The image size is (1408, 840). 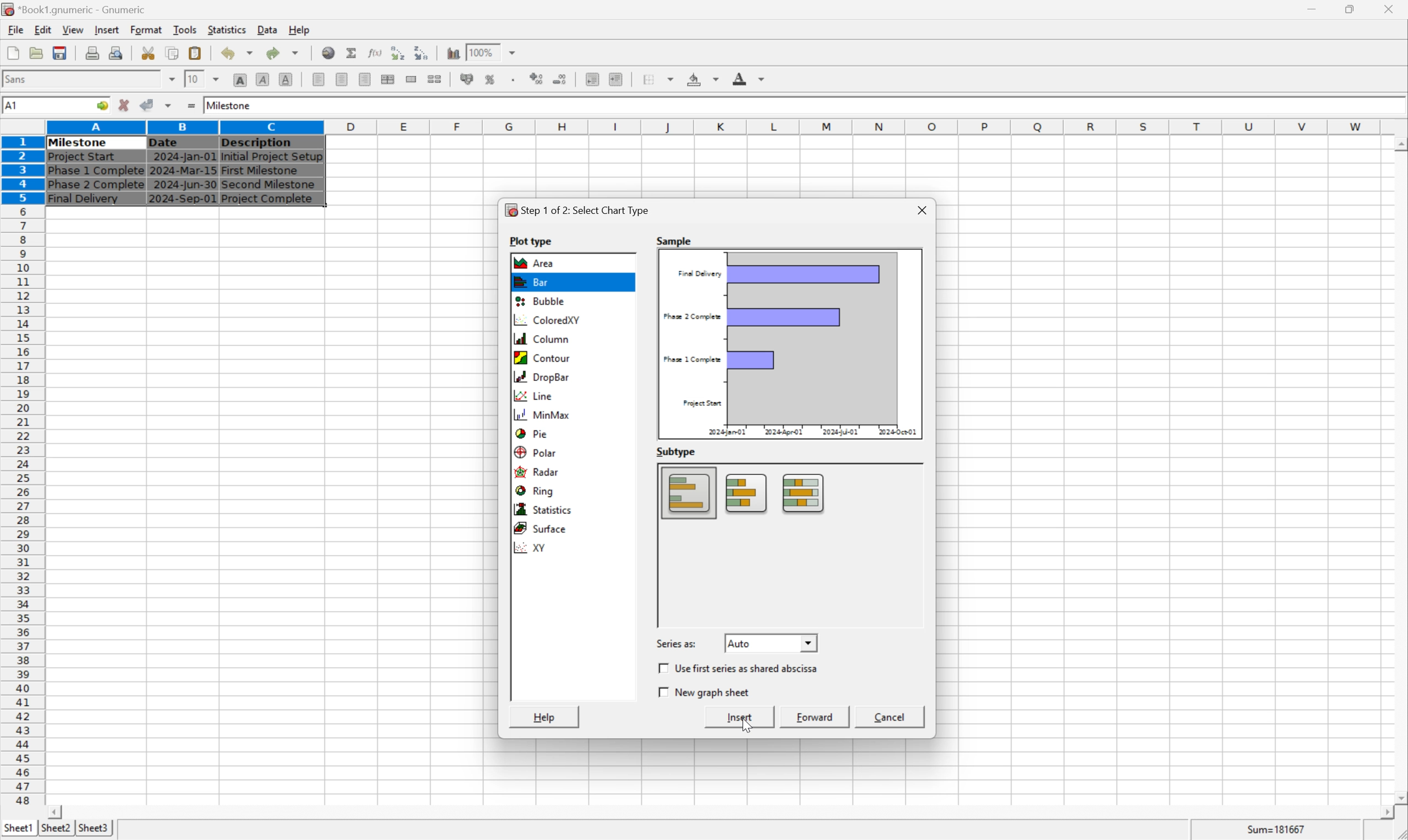 I want to click on area, so click(x=537, y=263).